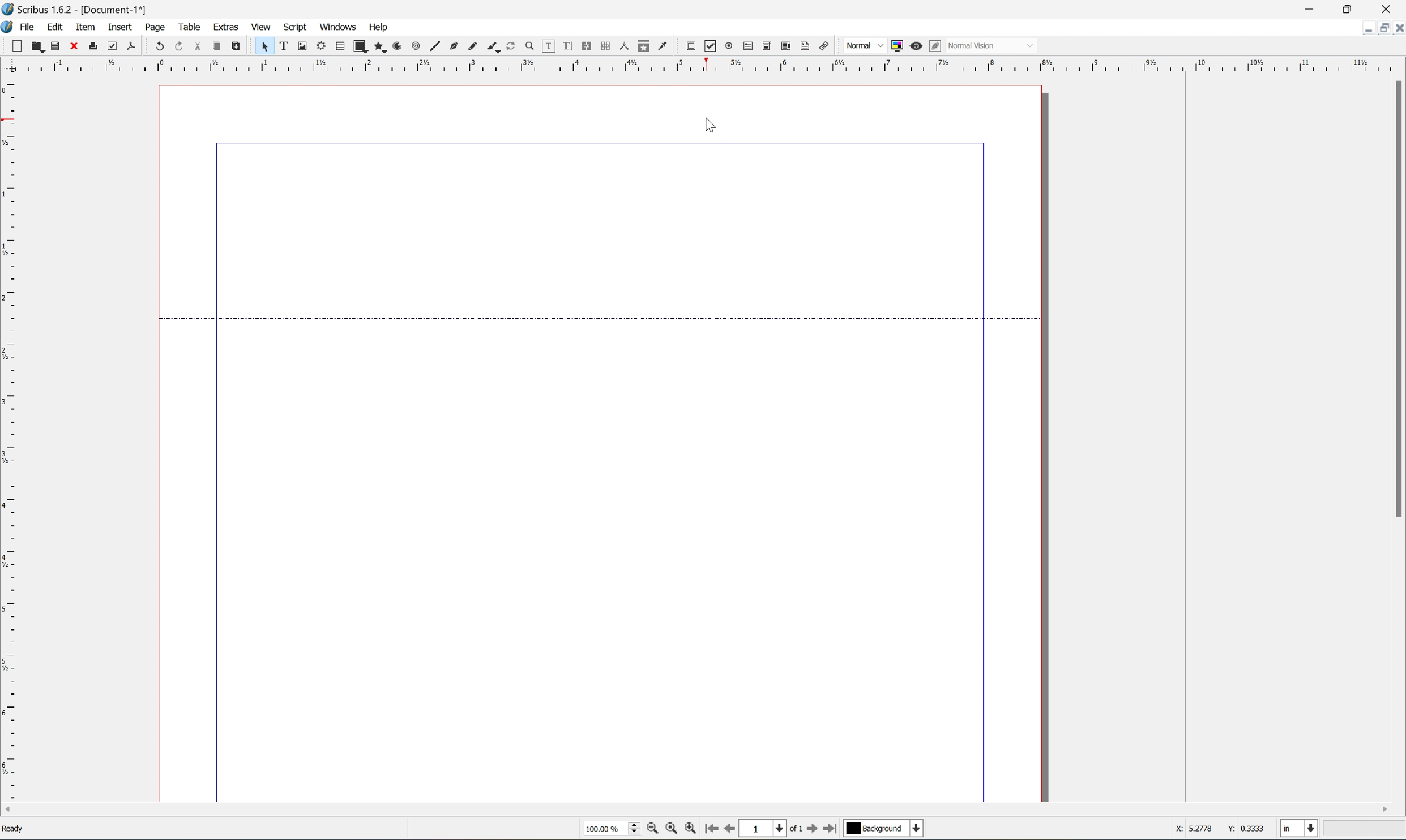 The width and height of the screenshot is (1406, 840). I want to click on pdf combo box, so click(767, 48).